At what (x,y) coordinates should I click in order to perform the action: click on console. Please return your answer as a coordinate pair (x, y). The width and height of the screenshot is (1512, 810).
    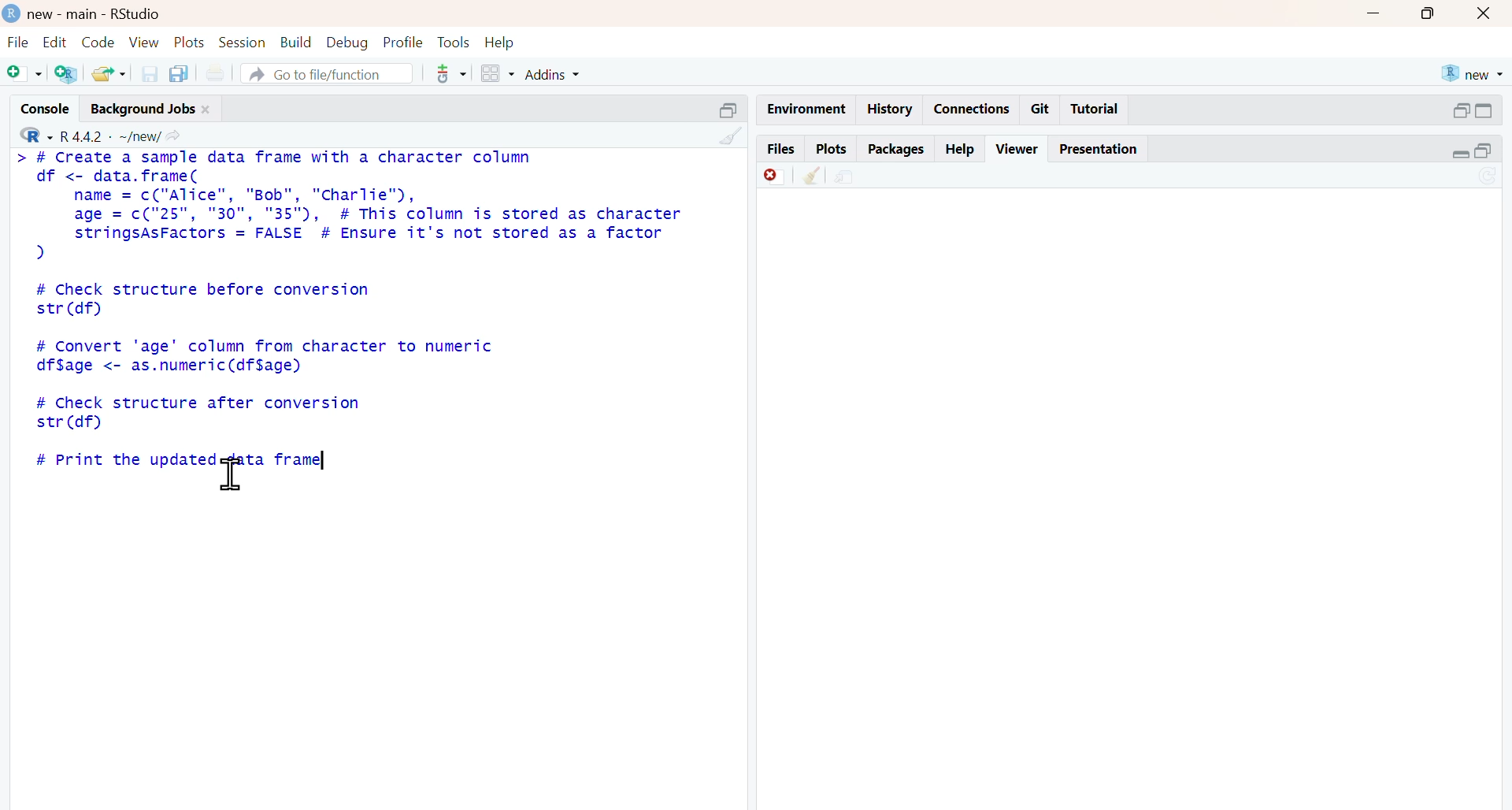
    Looking at the image, I should click on (46, 110).